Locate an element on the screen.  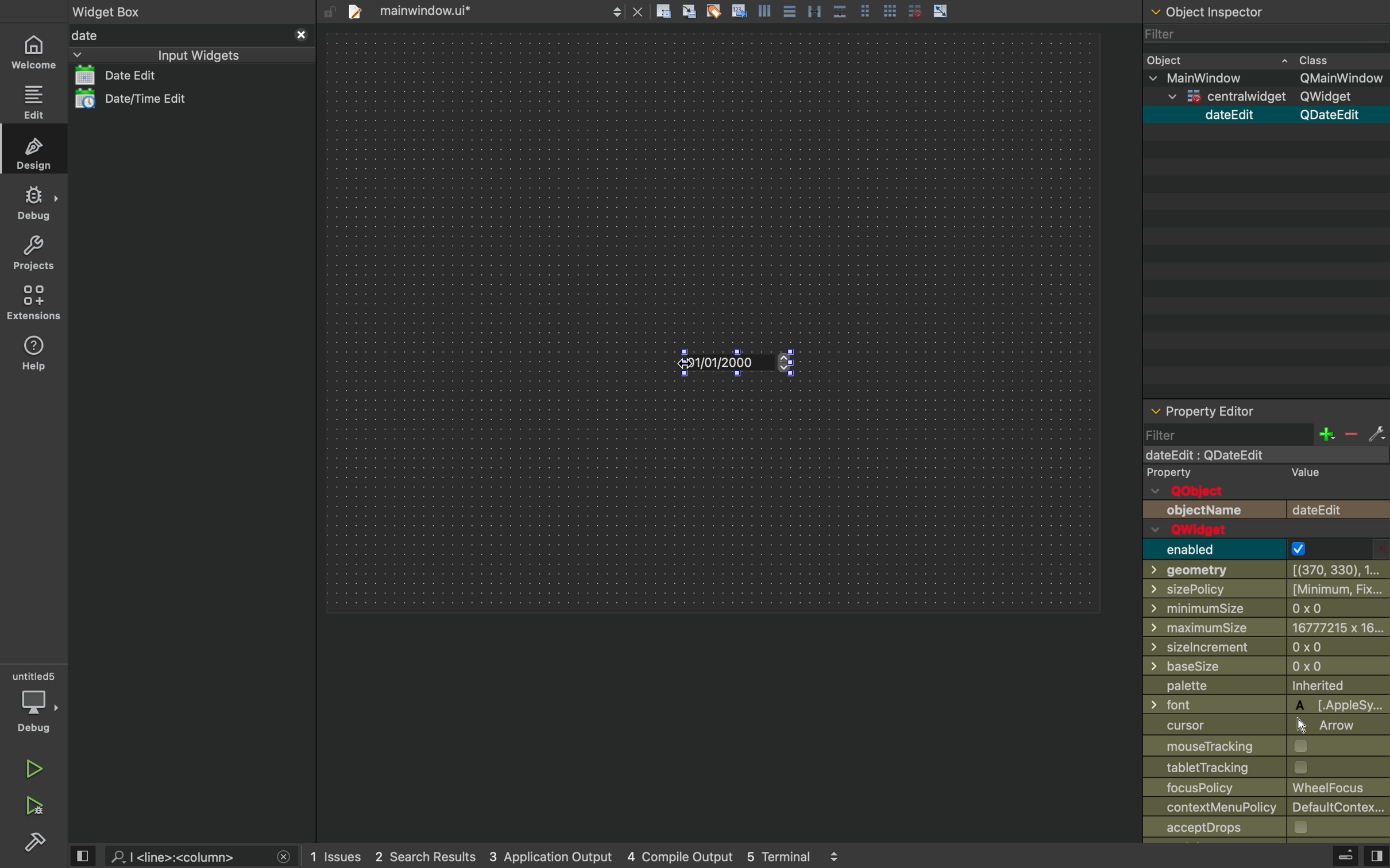
widget box is located at coordinates (111, 10).